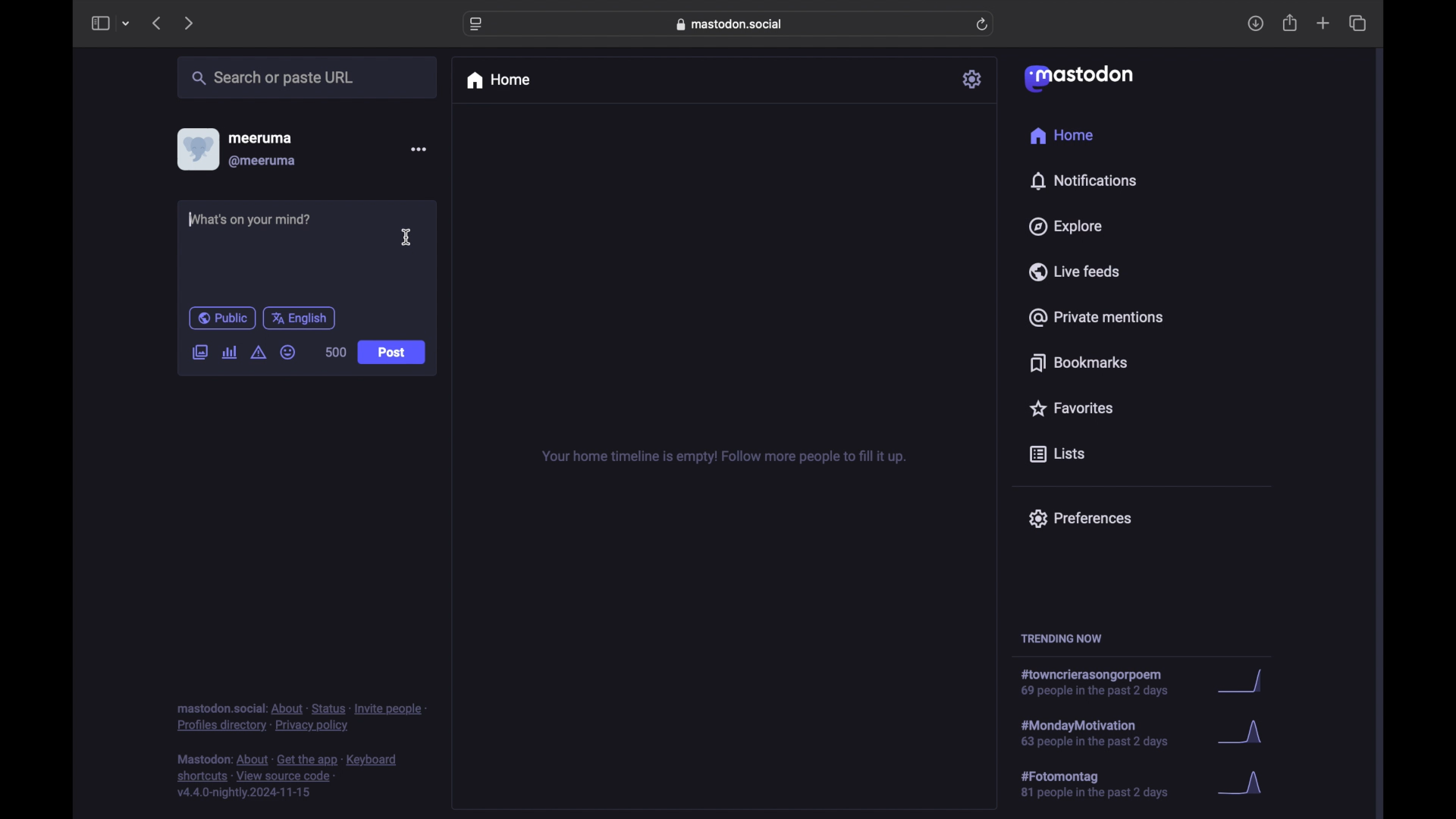 The width and height of the screenshot is (1456, 819). Describe the element at coordinates (300, 318) in the screenshot. I see `english` at that location.